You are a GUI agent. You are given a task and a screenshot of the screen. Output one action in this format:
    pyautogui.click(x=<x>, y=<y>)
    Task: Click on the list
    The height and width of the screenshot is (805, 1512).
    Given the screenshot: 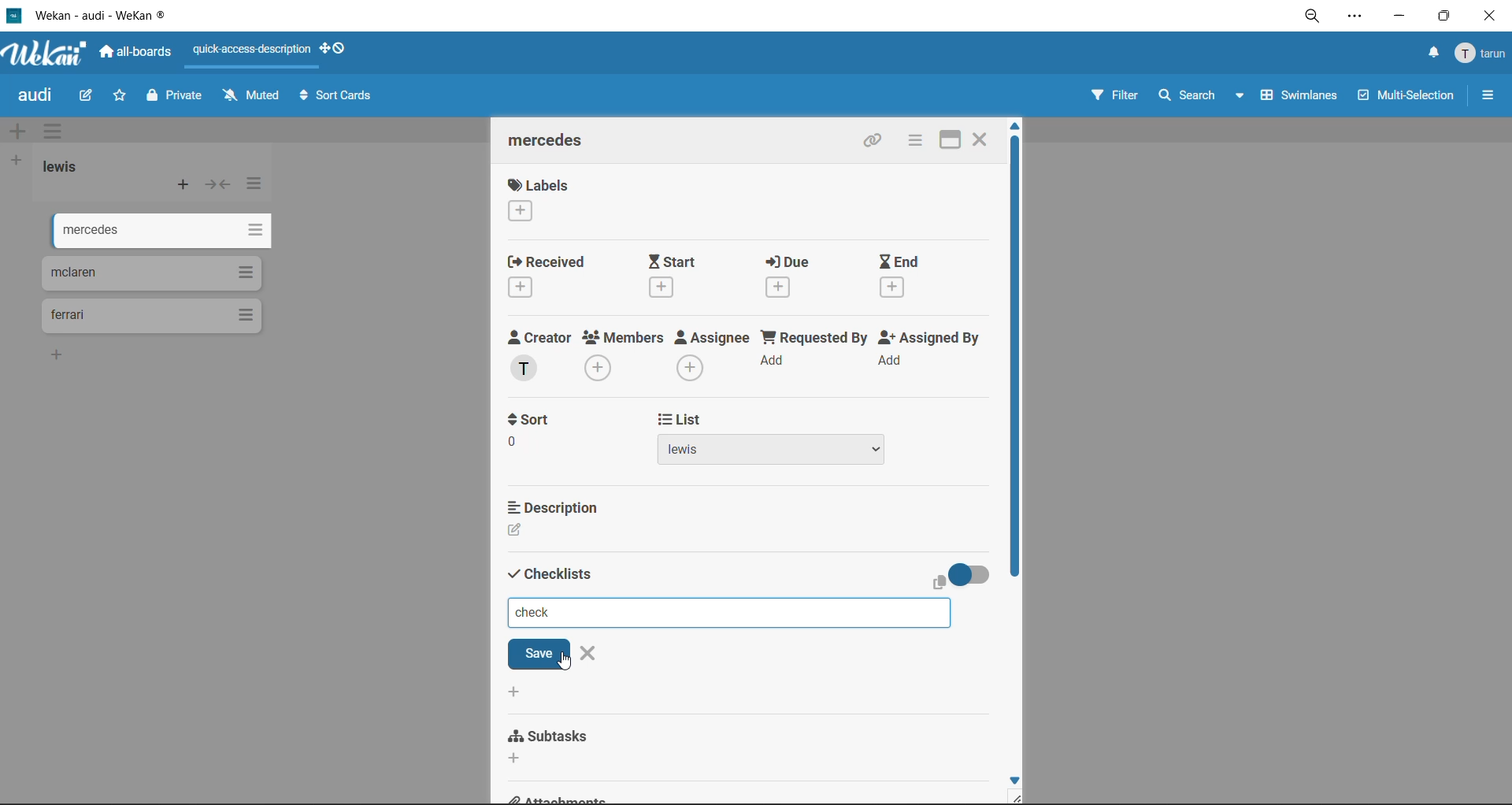 What is the action you would take?
    pyautogui.click(x=780, y=453)
    